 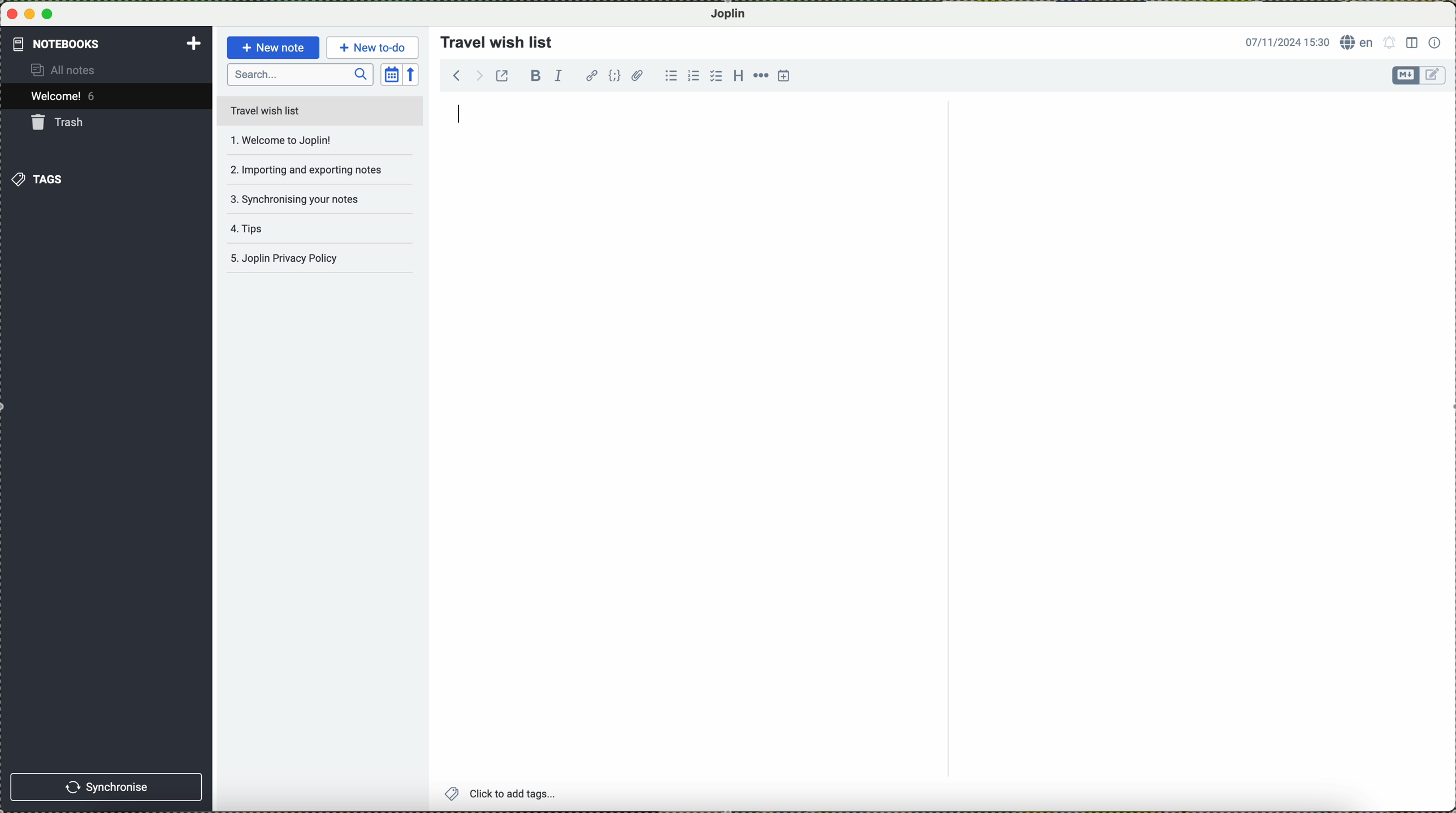 I want to click on notebooks tab, so click(x=107, y=44).